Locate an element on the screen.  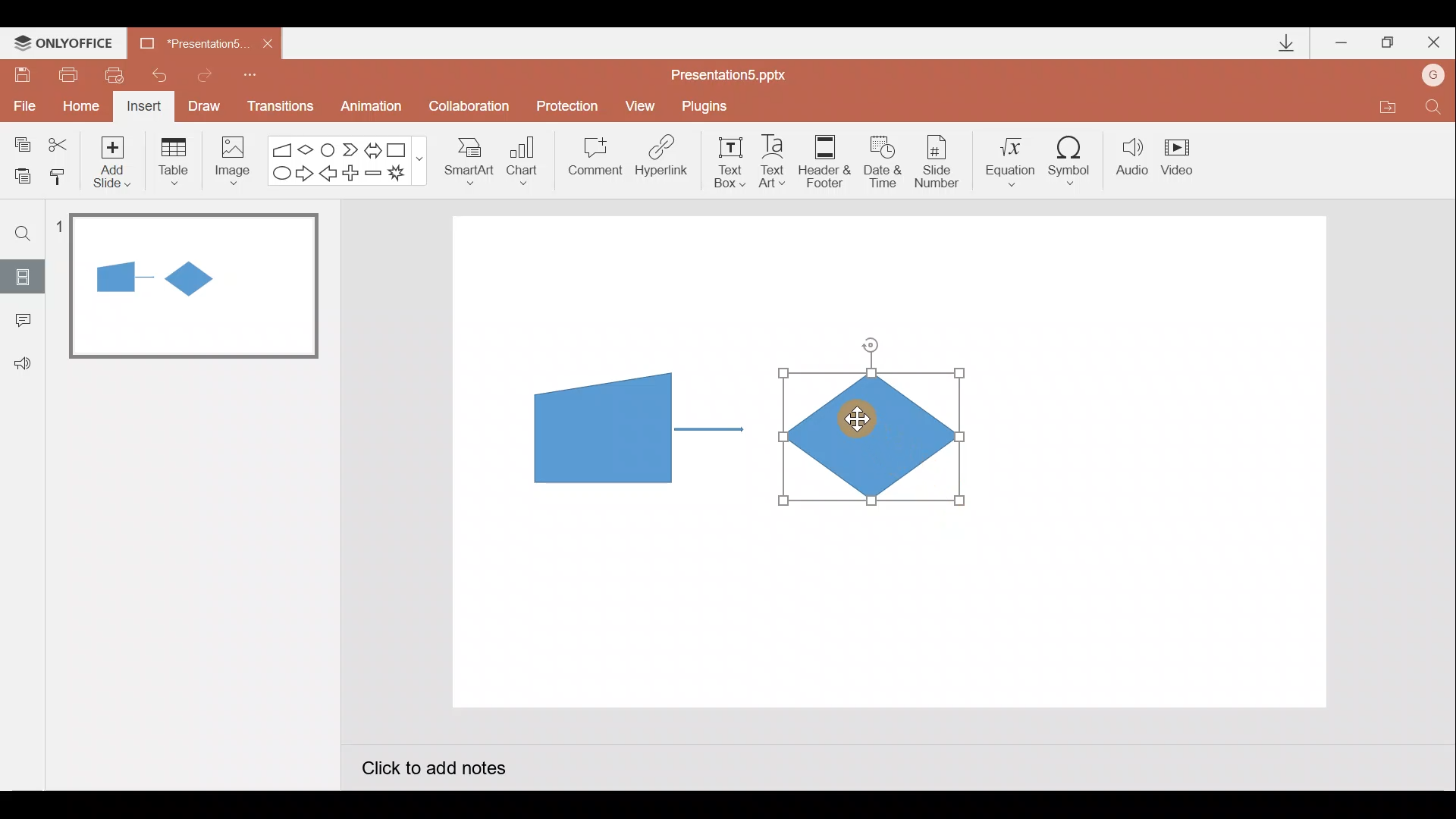
Chart is located at coordinates (522, 158).